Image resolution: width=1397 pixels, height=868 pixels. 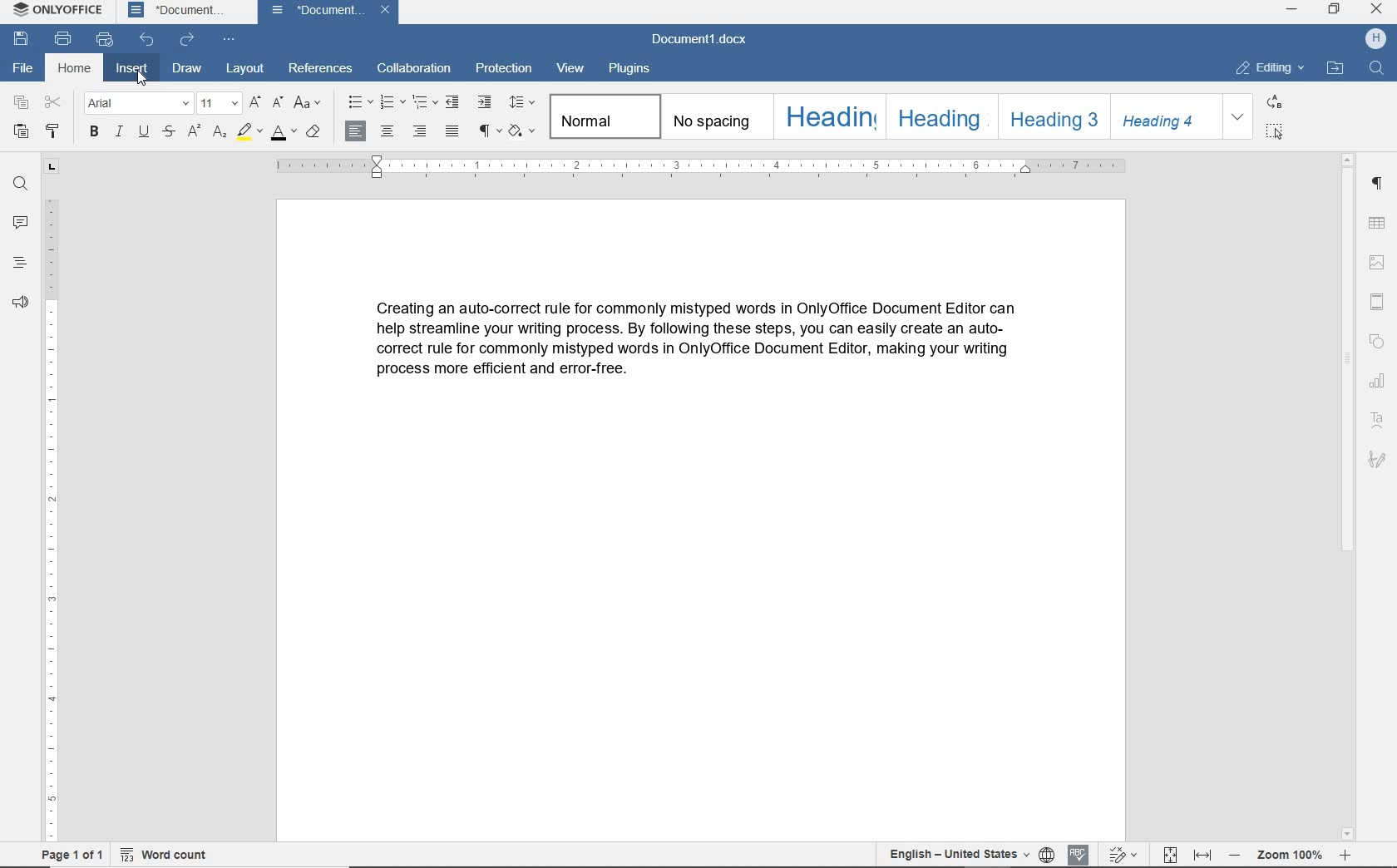 What do you see at coordinates (521, 103) in the screenshot?
I see `paragraph line spacing` at bounding box center [521, 103].